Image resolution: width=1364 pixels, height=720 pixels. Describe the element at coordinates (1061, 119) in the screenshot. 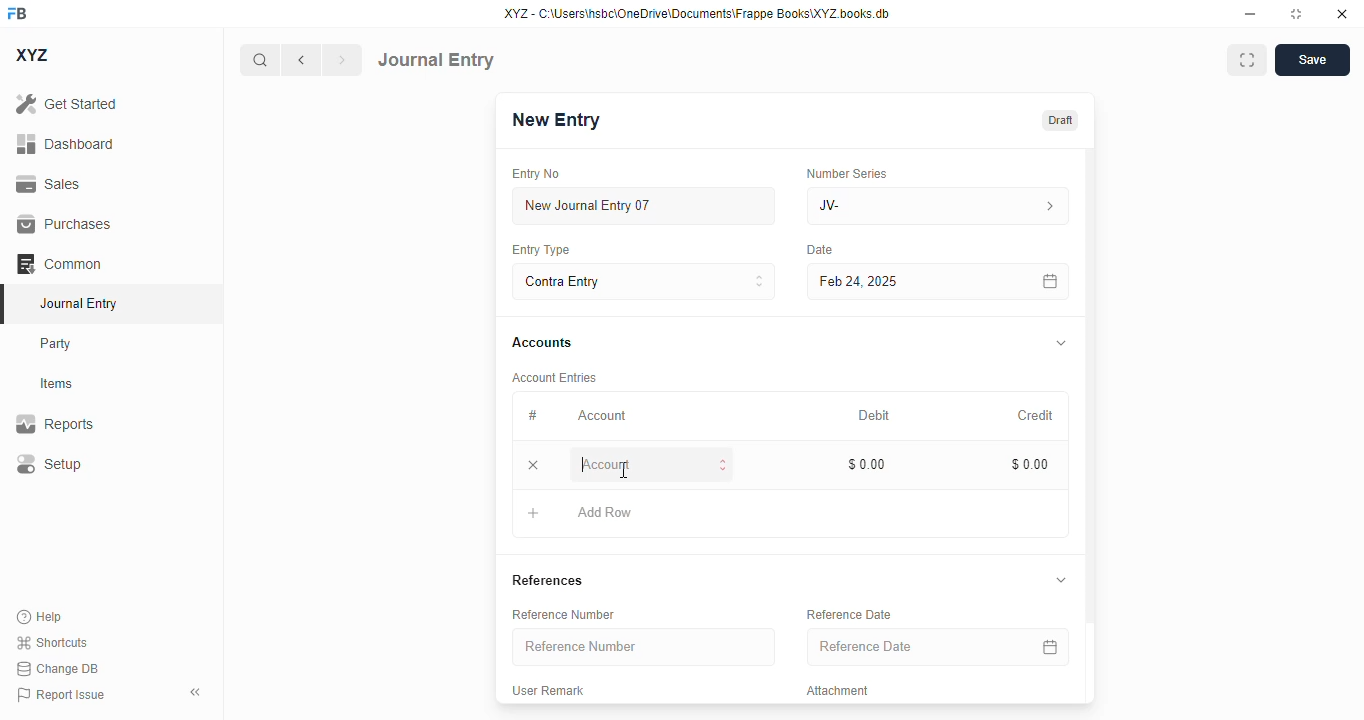

I see `draft` at that location.